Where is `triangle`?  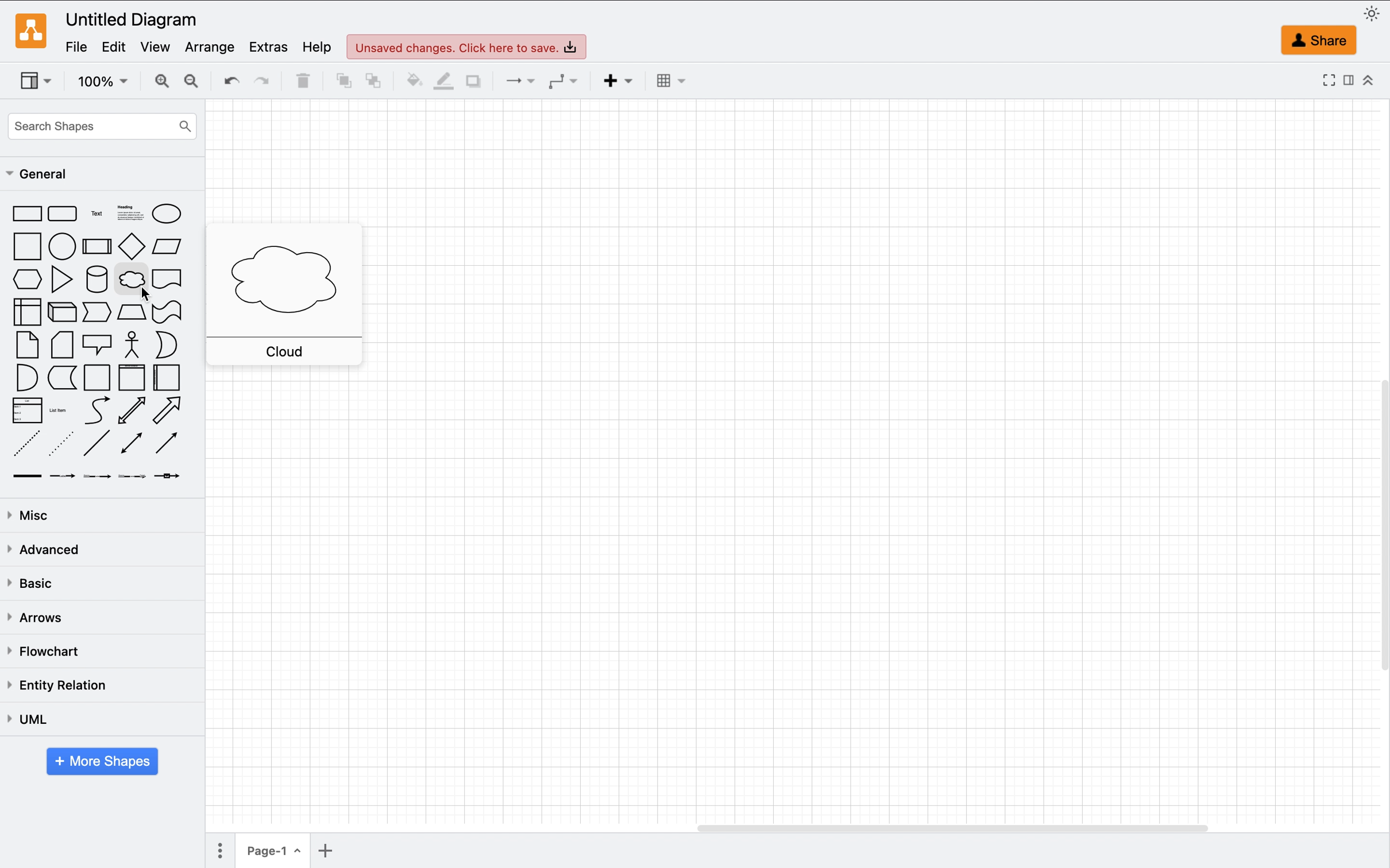
triangle is located at coordinates (60, 282).